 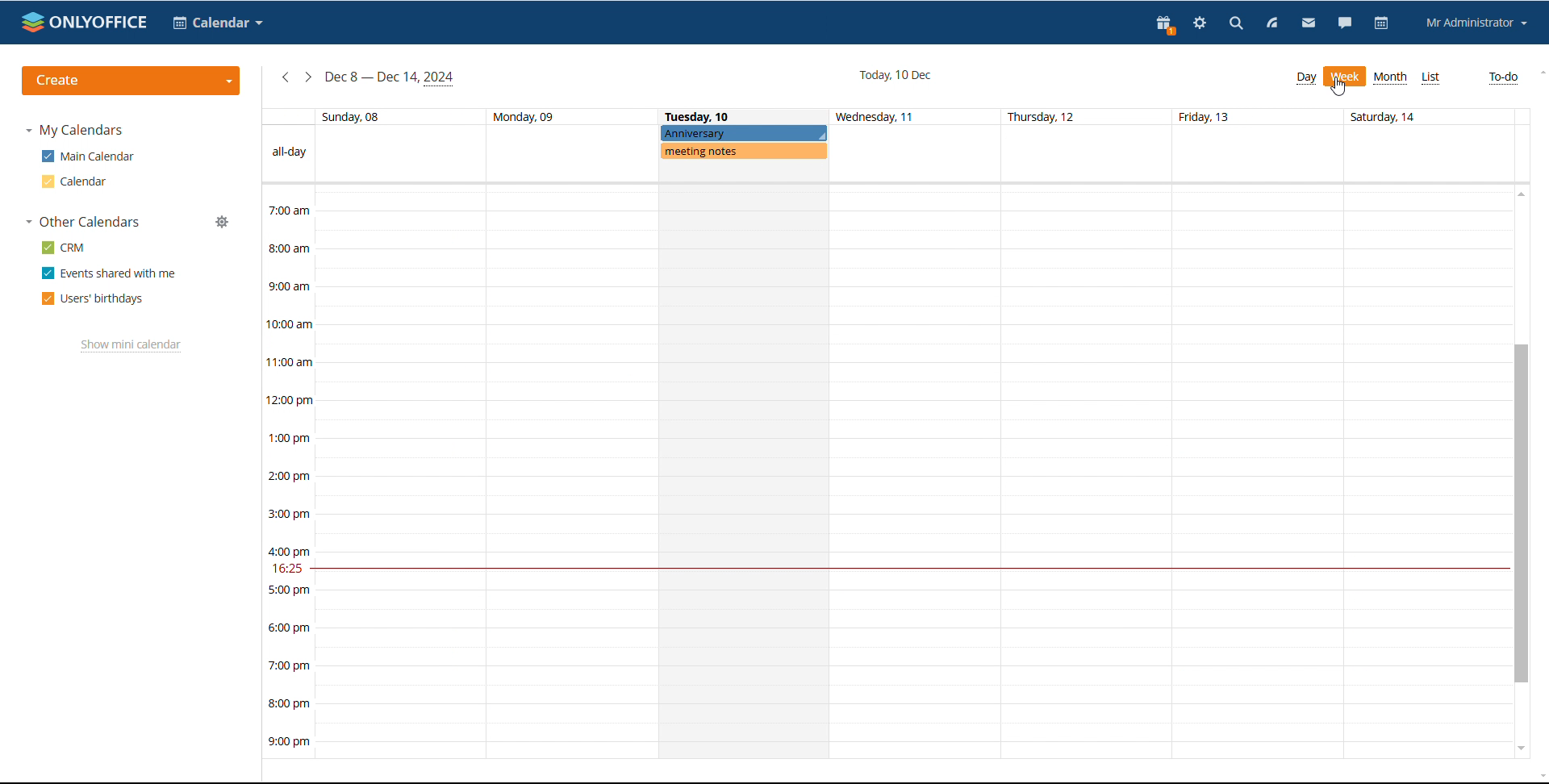 What do you see at coordinates (64, 248) in the screenshot?
I see `crm` at bounding box center [64, 248].